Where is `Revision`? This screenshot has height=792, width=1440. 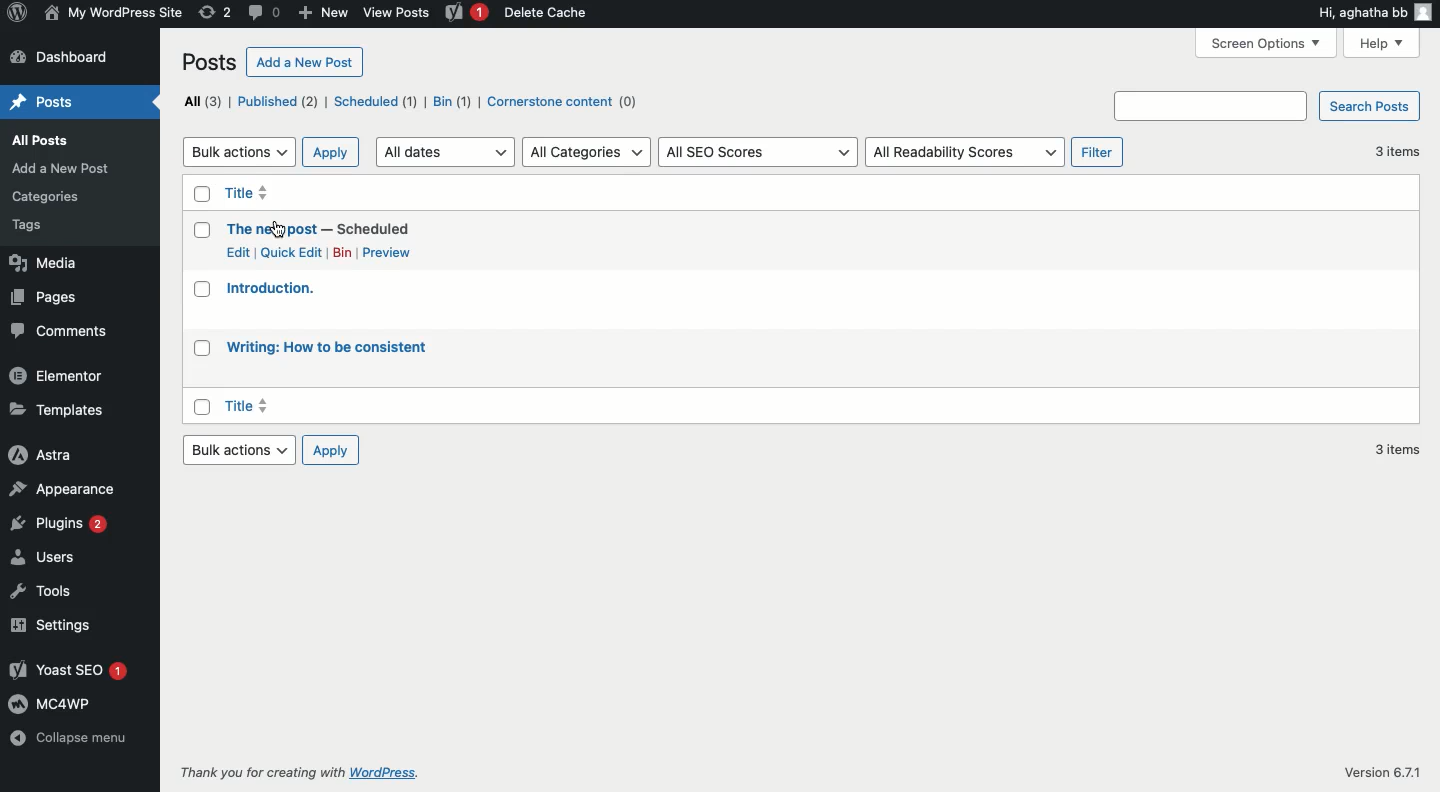 Revision is located at coordinates (213, 14).